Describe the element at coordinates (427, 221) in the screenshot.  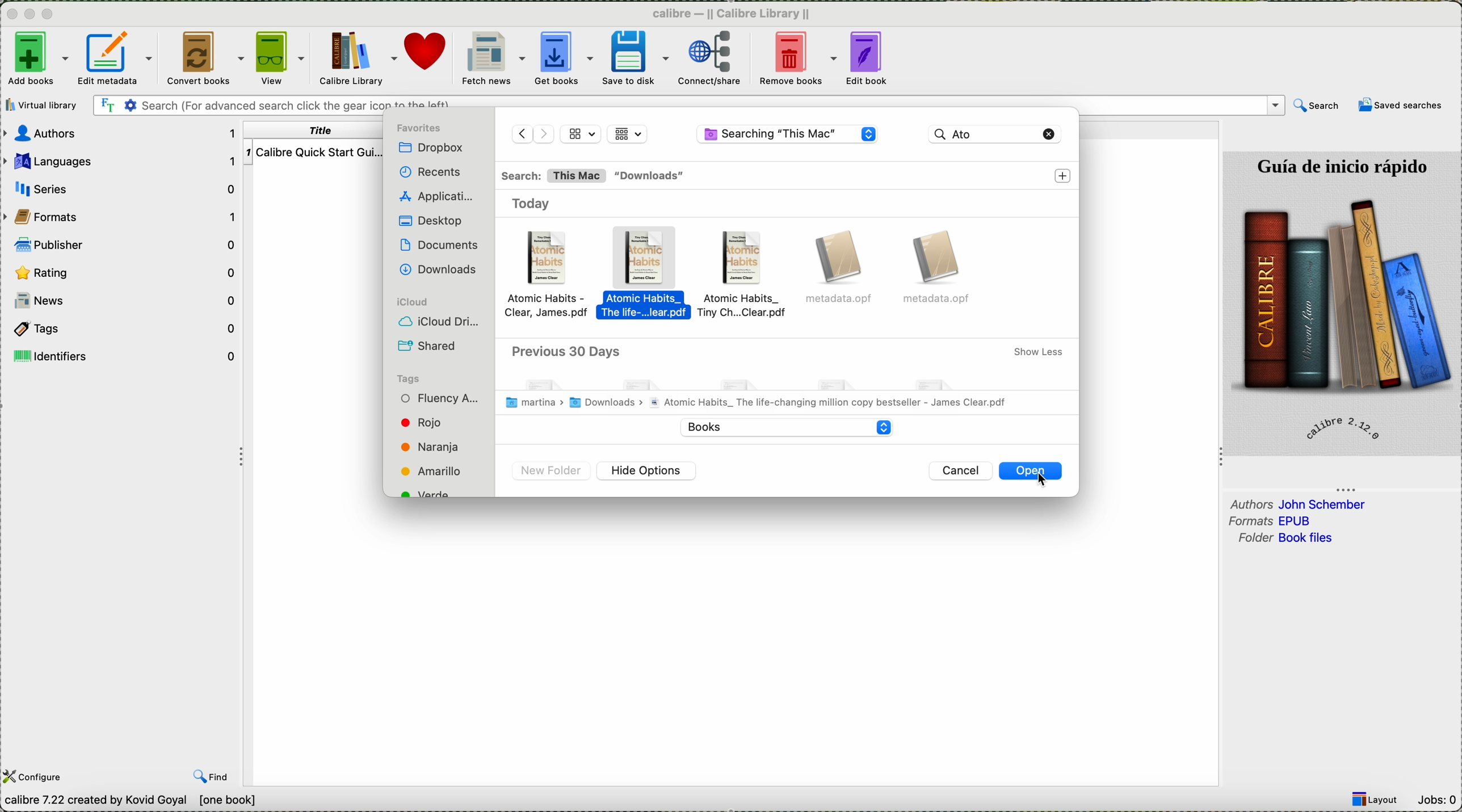
I see `desktop` at that location.